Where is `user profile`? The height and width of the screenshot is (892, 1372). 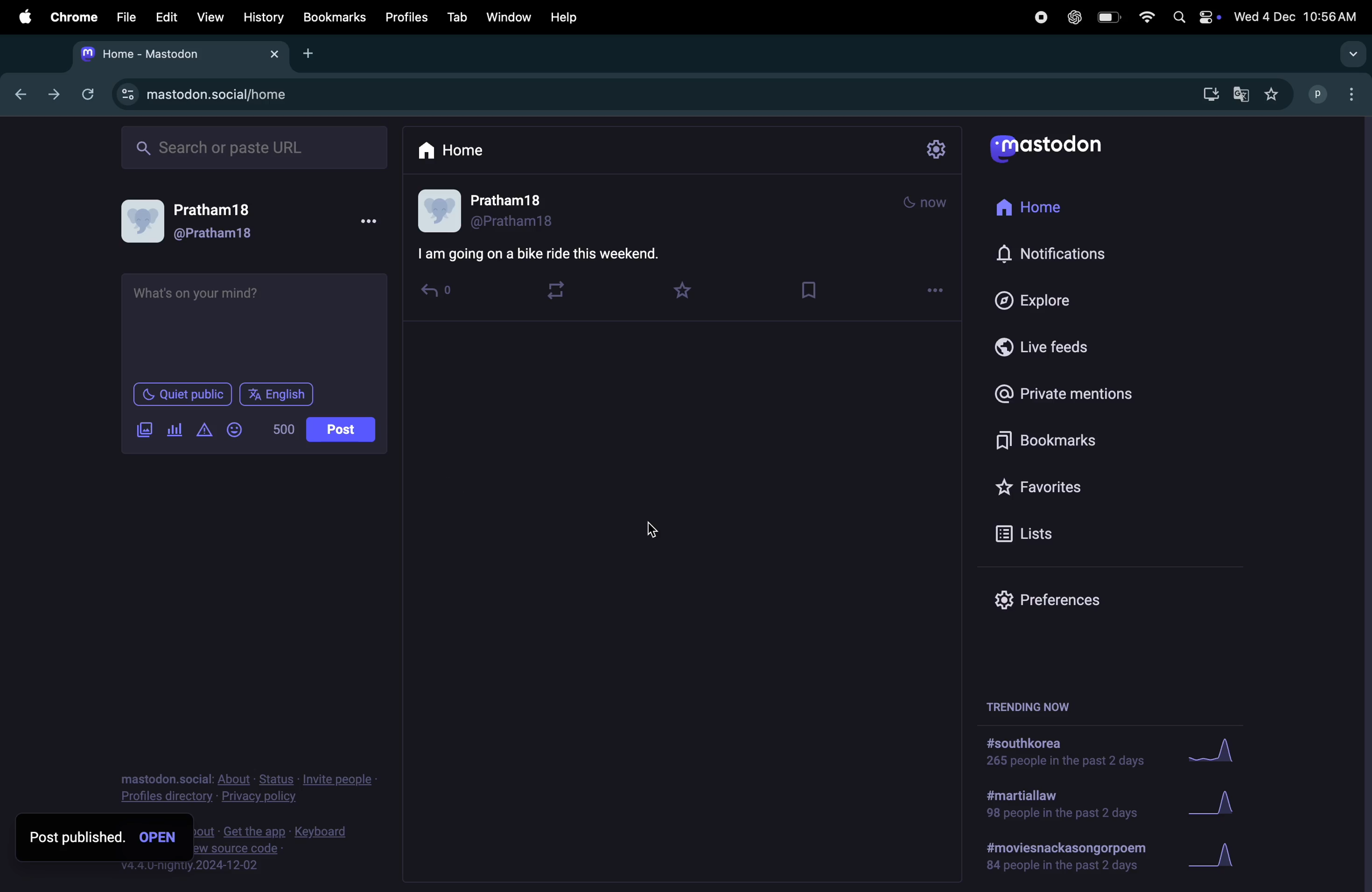 user profile is located at coordinates (1336, 92).